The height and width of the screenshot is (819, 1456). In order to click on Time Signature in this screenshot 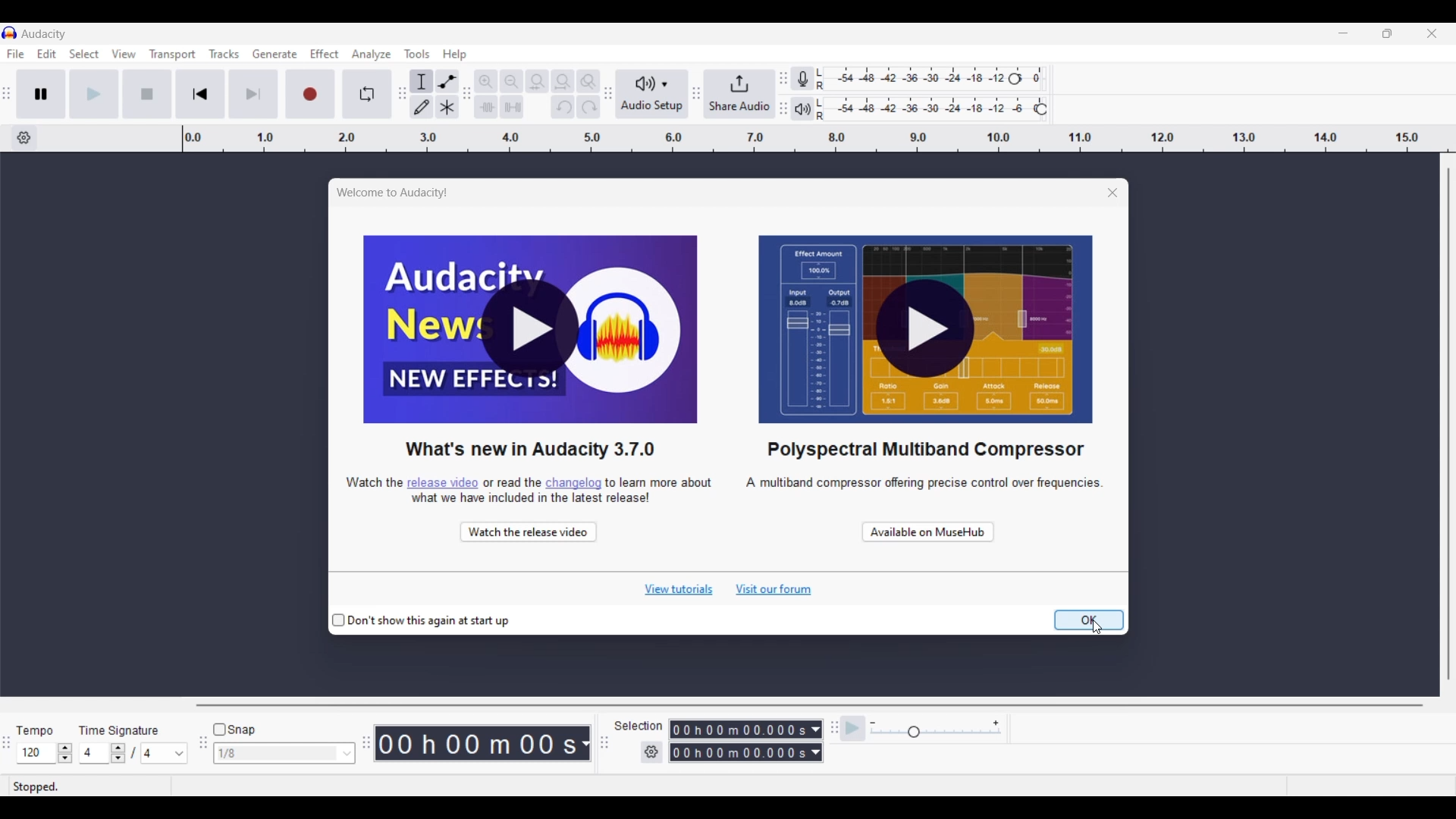, I will do `click(125, 728)`.